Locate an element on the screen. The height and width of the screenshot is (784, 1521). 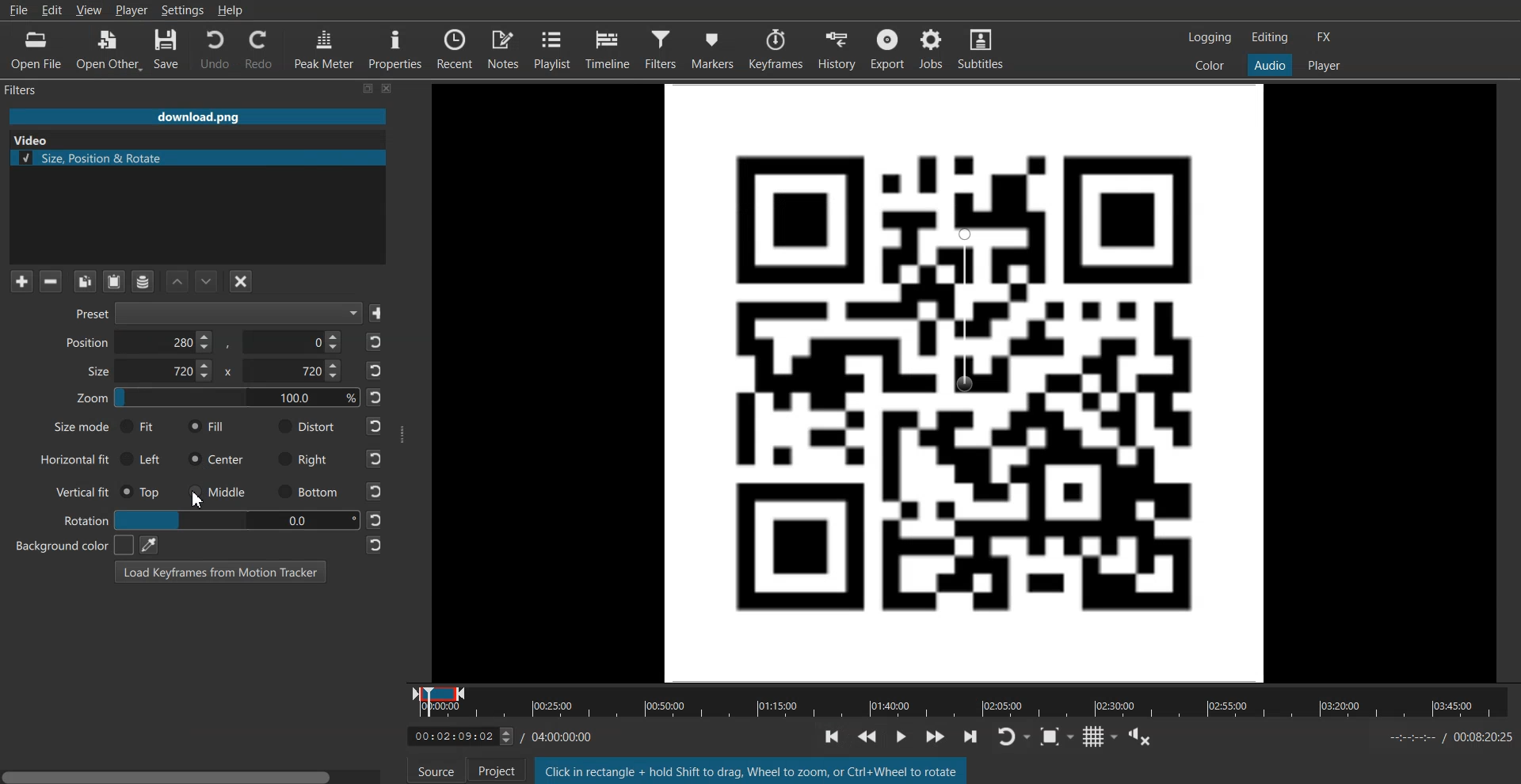
Open File is located at coordinates (33, 49).